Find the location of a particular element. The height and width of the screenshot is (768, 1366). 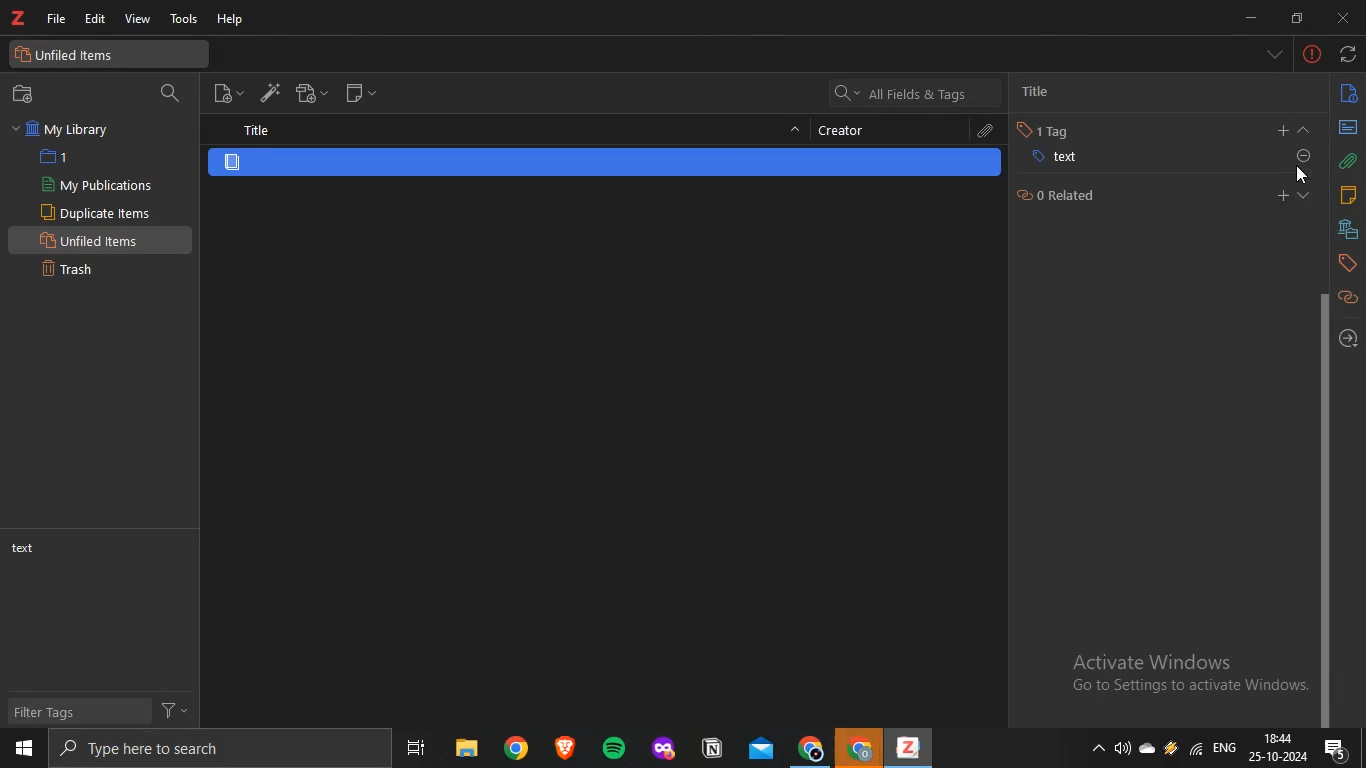

attachments is located at coordinates (1349, 161).